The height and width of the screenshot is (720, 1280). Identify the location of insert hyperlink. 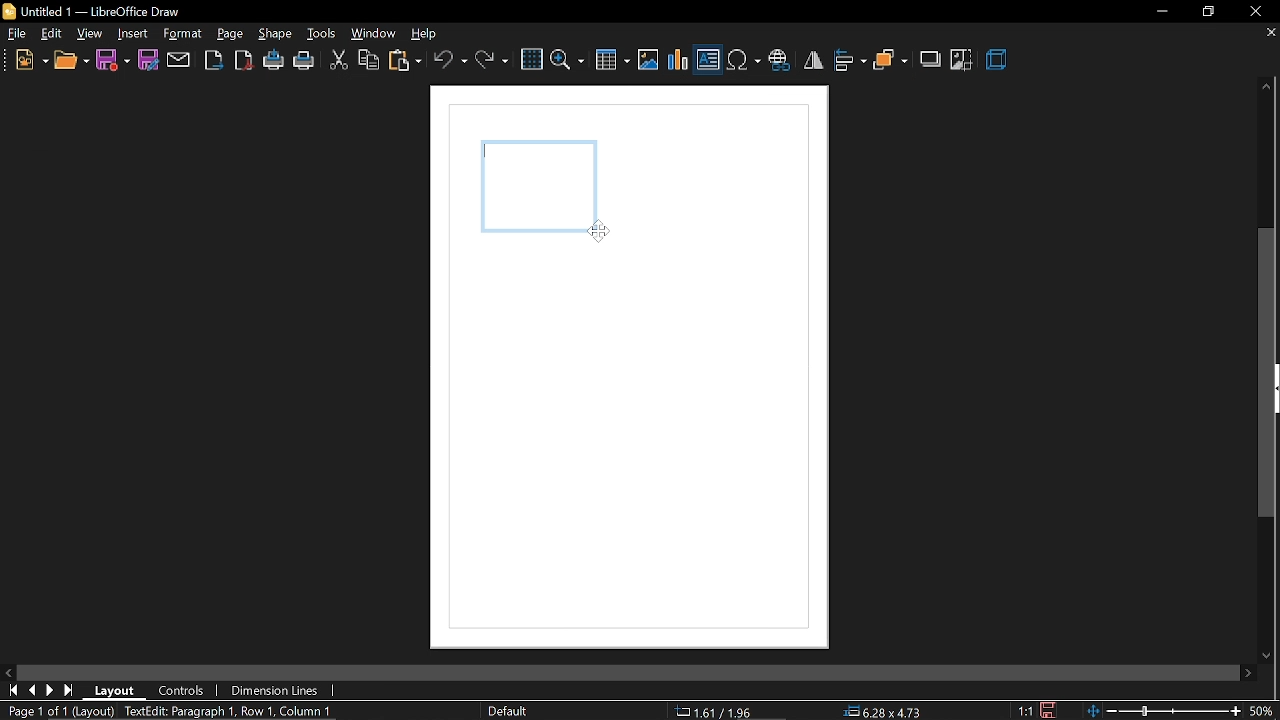
(779, 62).